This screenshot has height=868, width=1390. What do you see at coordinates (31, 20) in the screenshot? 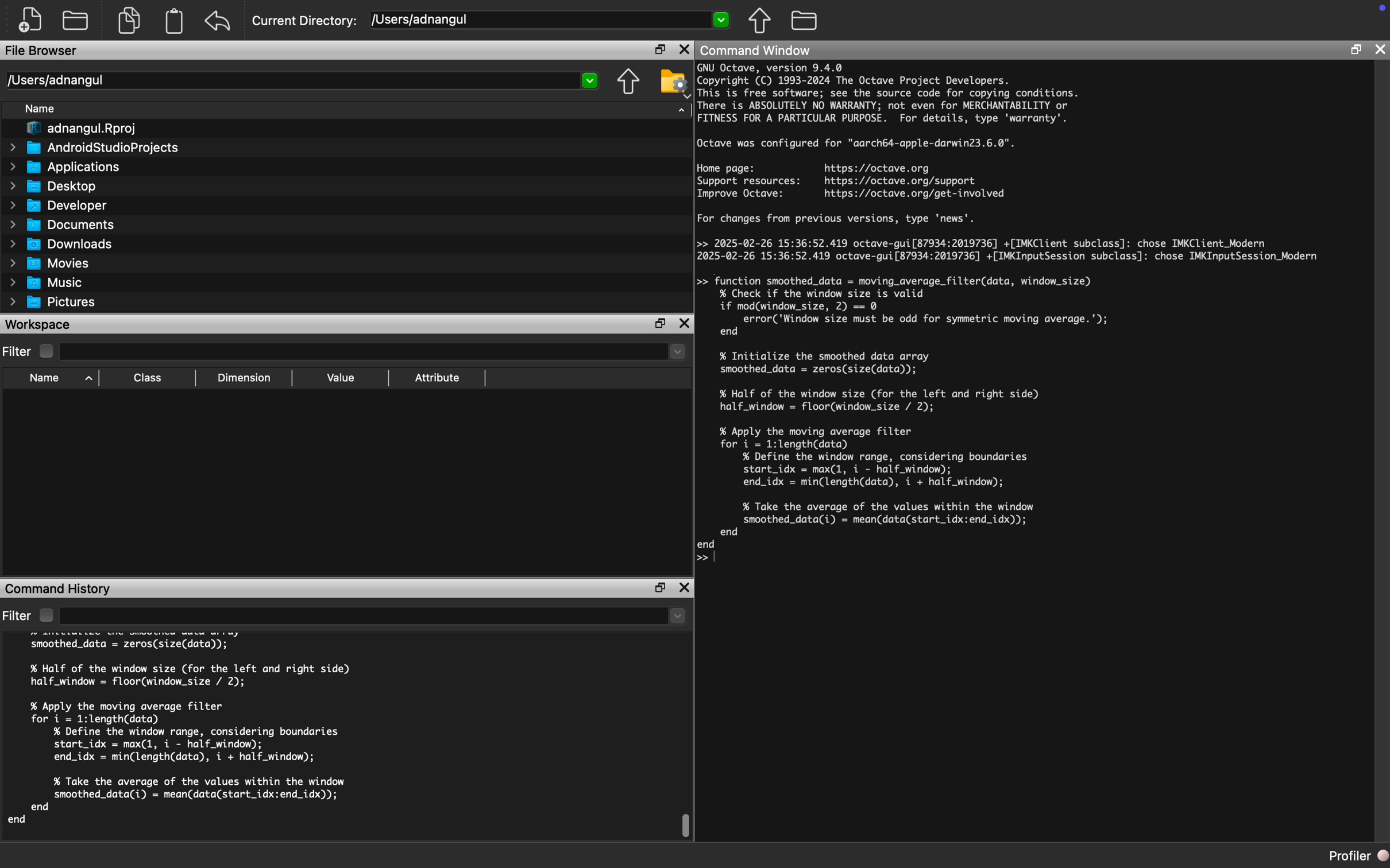
I see `New File` at bounding box center [31, 20].